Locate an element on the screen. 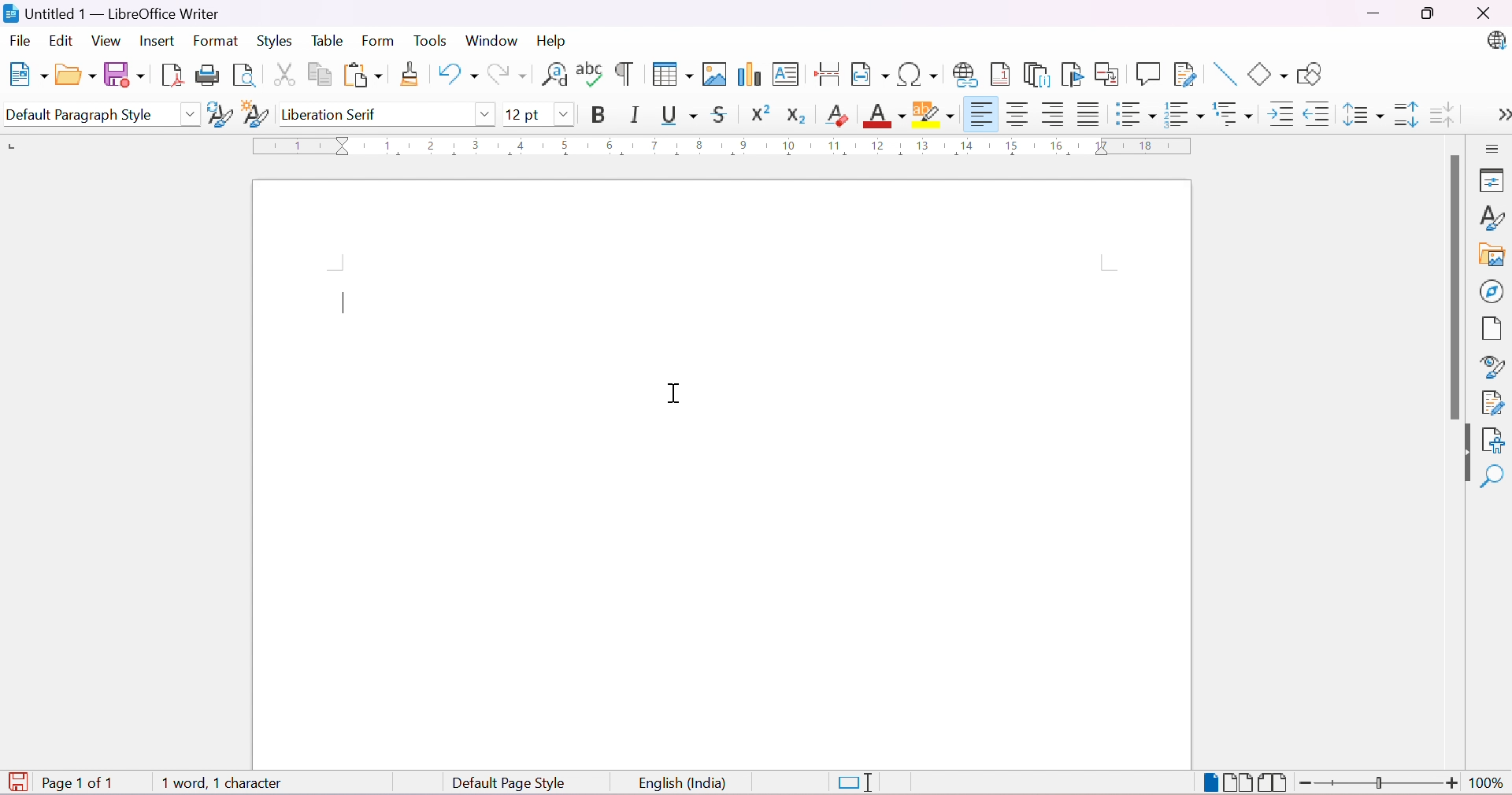  Drop Down is located at coordinates (190, 113).